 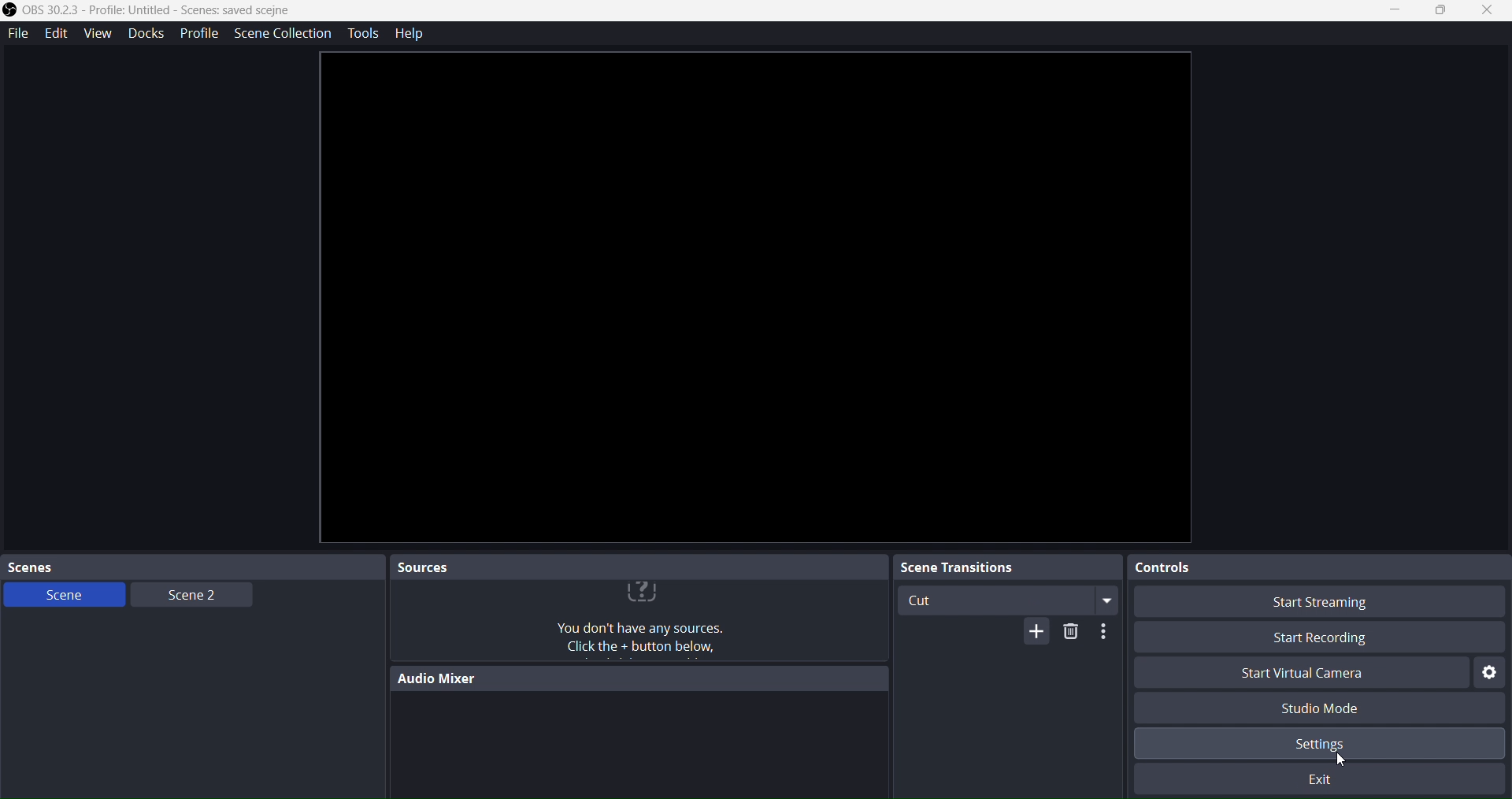 I want to click on Studio Mode, so click(x=1338, y=709).